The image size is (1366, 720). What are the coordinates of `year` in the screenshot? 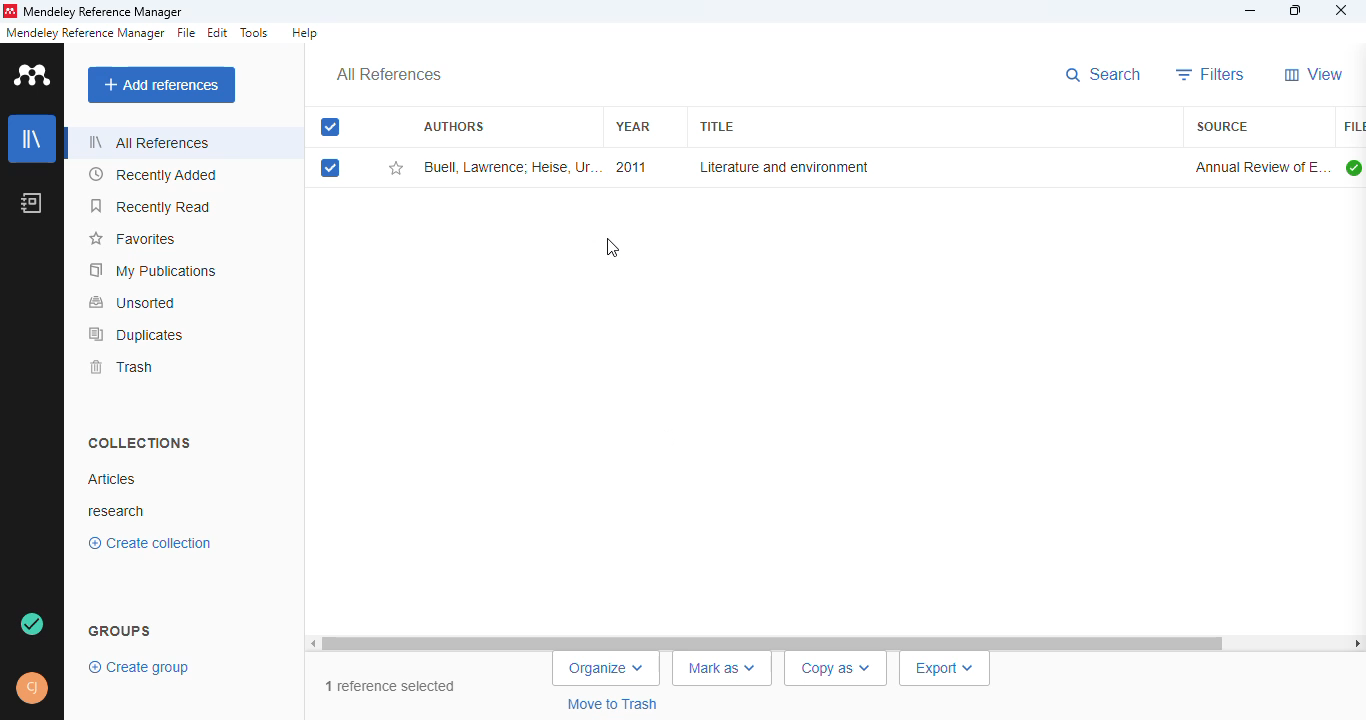 It's located at (633, 126).